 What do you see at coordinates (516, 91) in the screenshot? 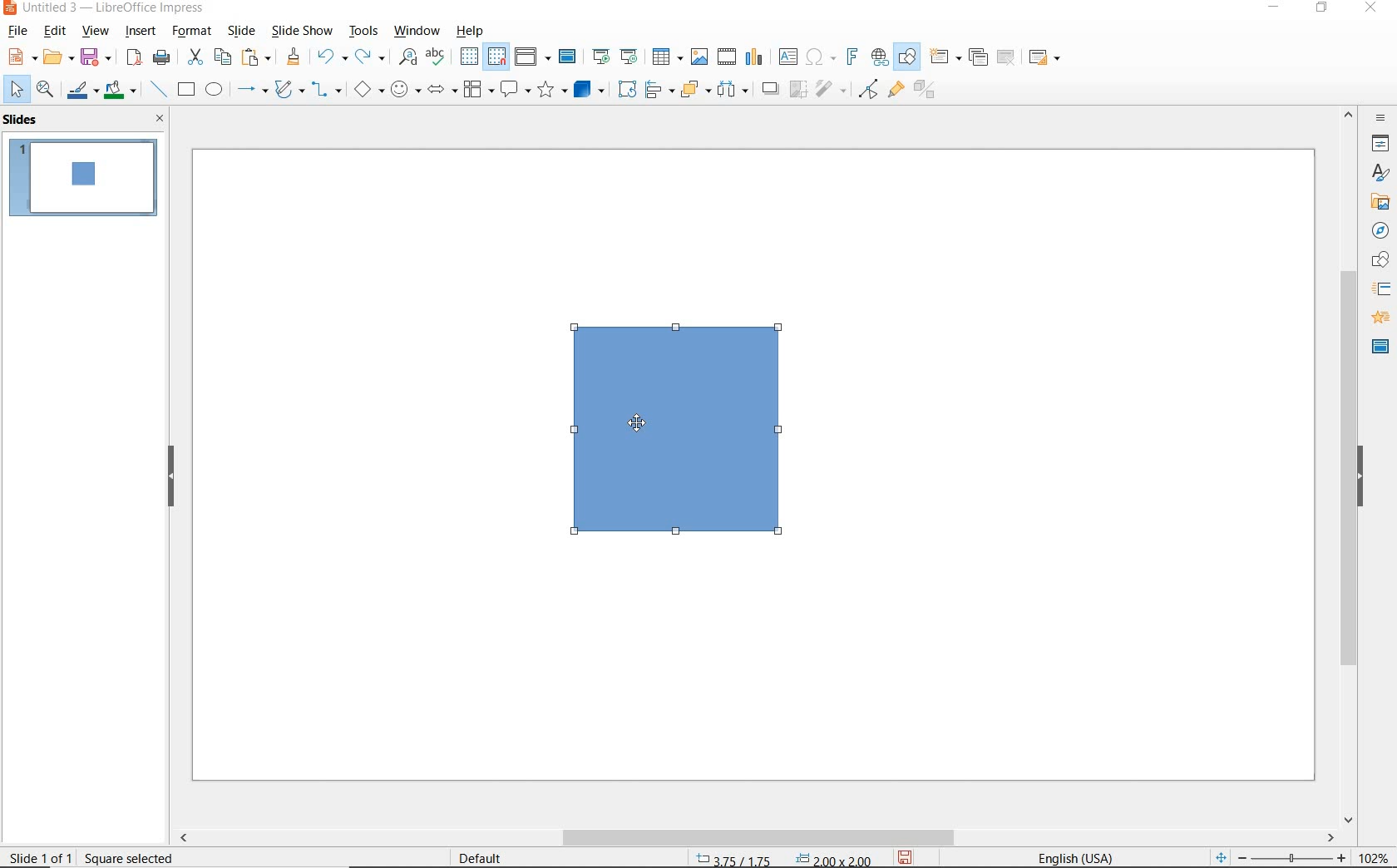
I see `callout shapes` at bounding box center [516, 91].